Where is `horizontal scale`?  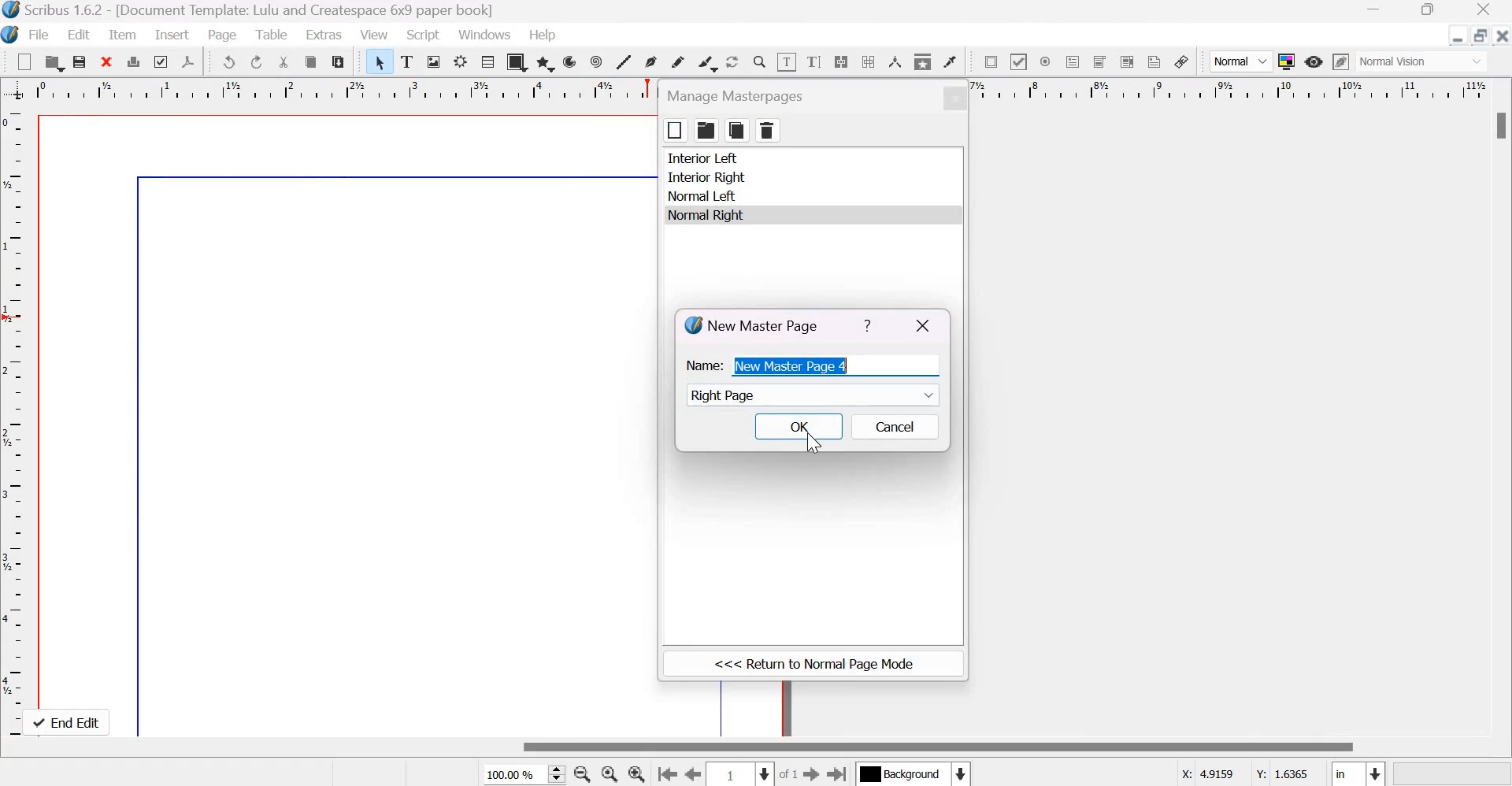 horizontal scale is located at coordinates (1230, 91).